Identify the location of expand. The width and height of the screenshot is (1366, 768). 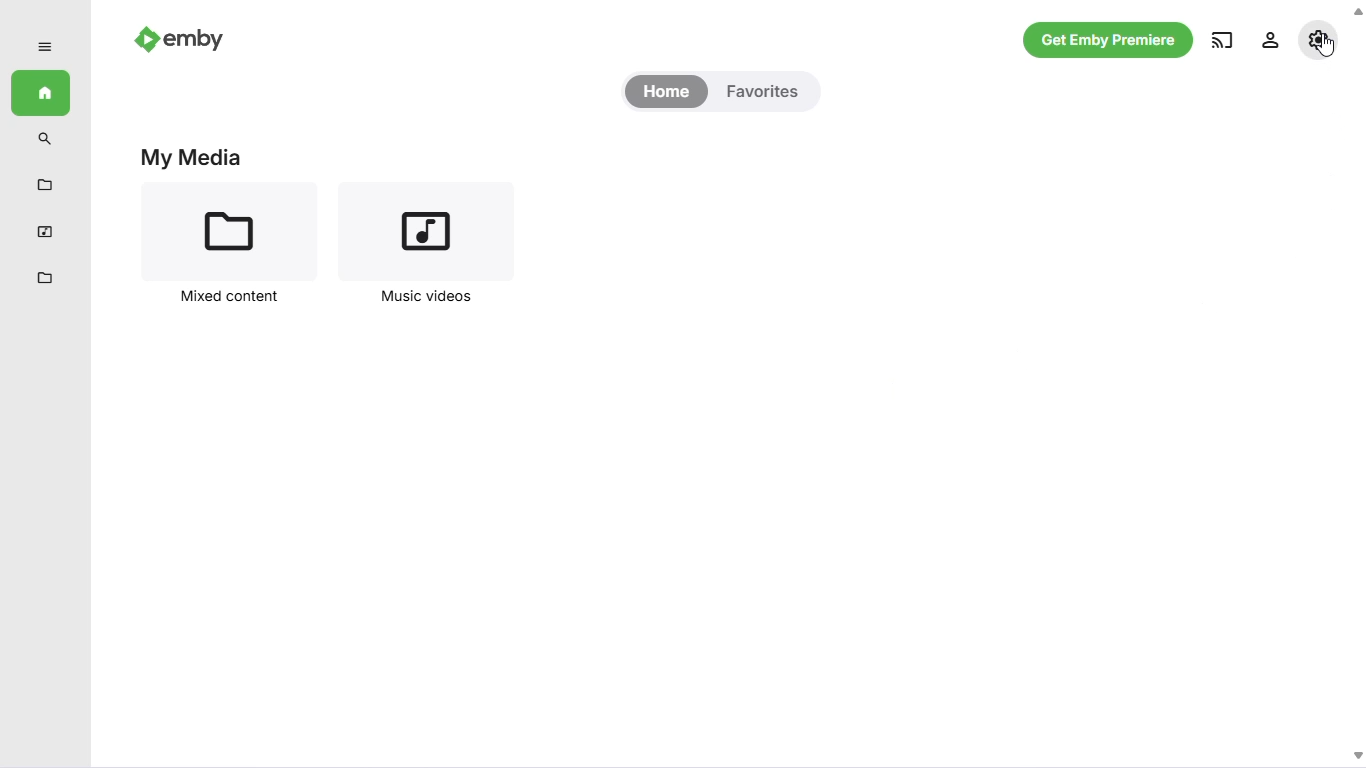
(46, 46).